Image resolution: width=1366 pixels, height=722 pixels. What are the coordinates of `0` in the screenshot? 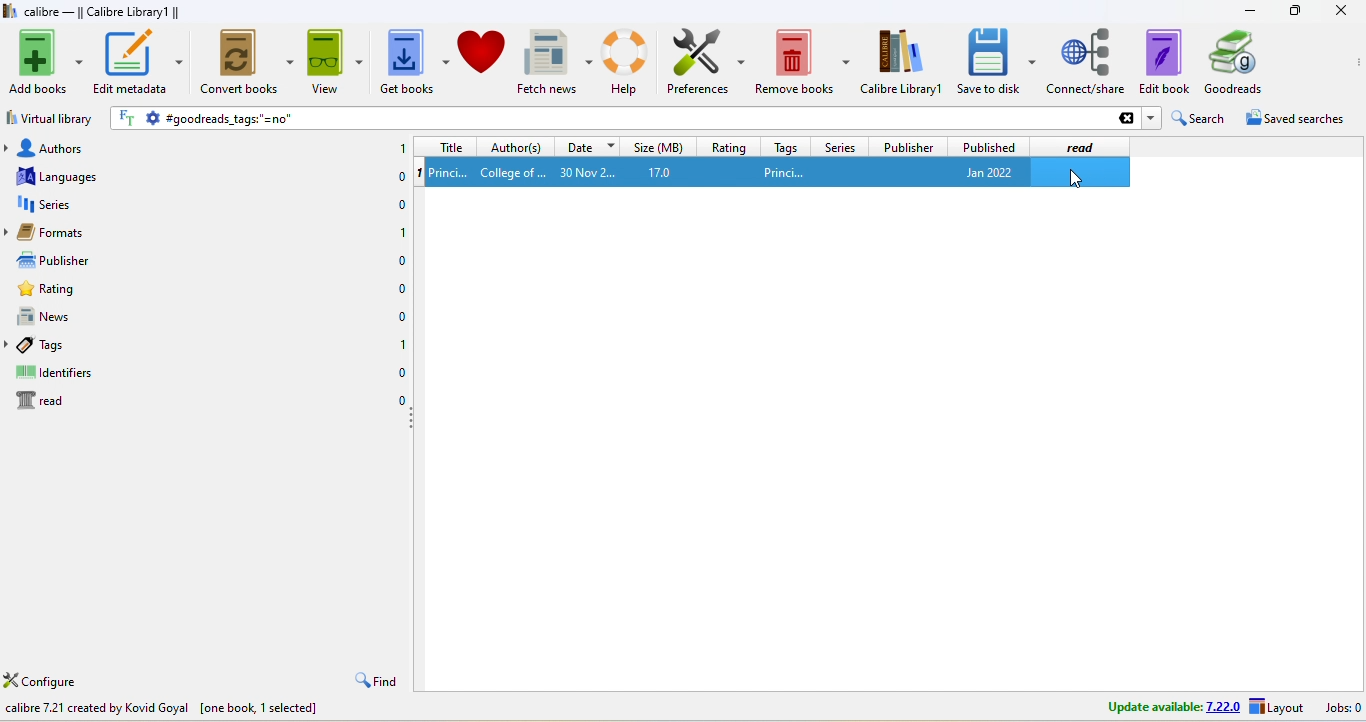 It's located at (401, 262).